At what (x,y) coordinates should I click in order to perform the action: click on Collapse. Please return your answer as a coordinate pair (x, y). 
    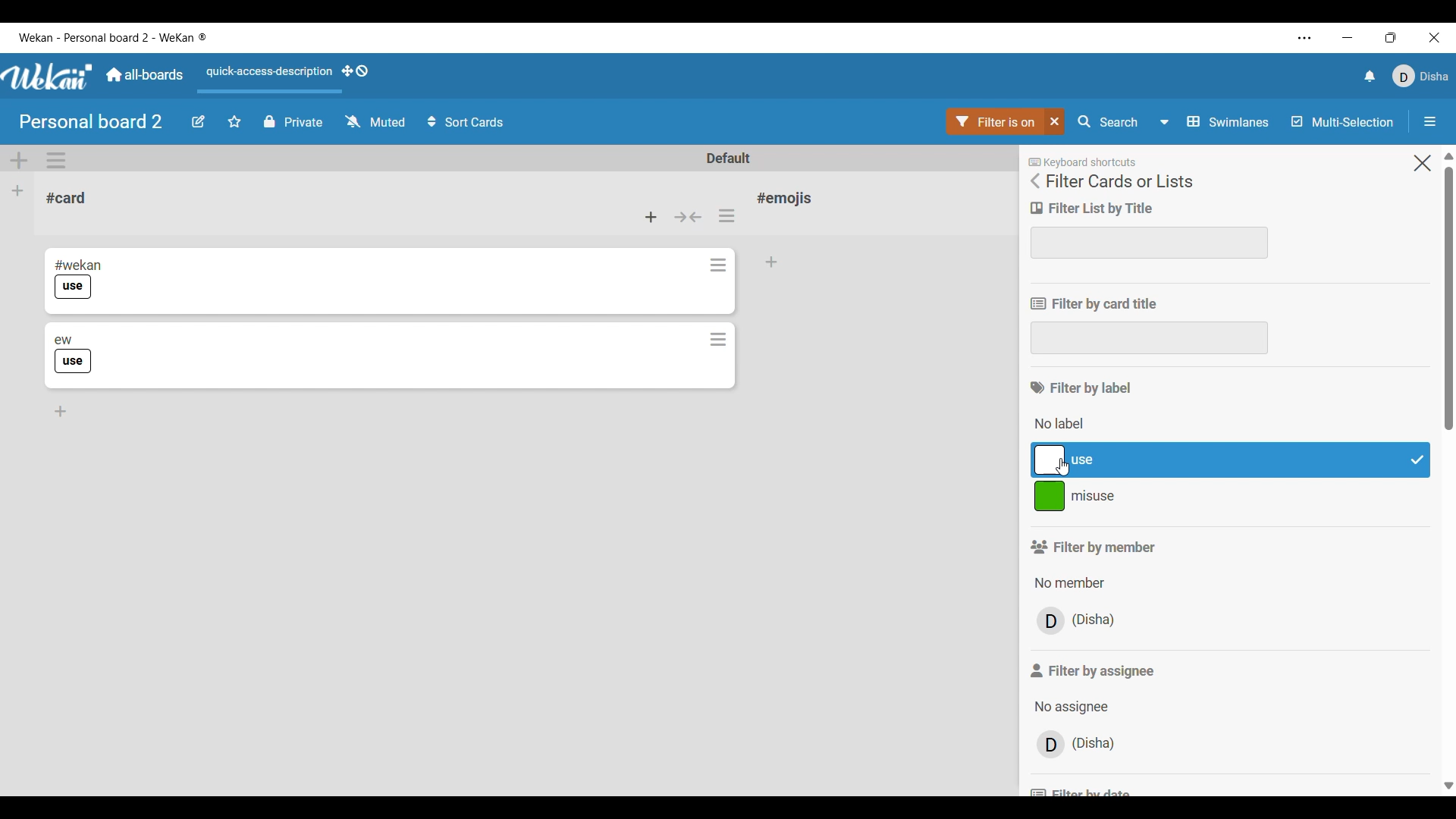
    Looking at the image, I should click on (689, 217).